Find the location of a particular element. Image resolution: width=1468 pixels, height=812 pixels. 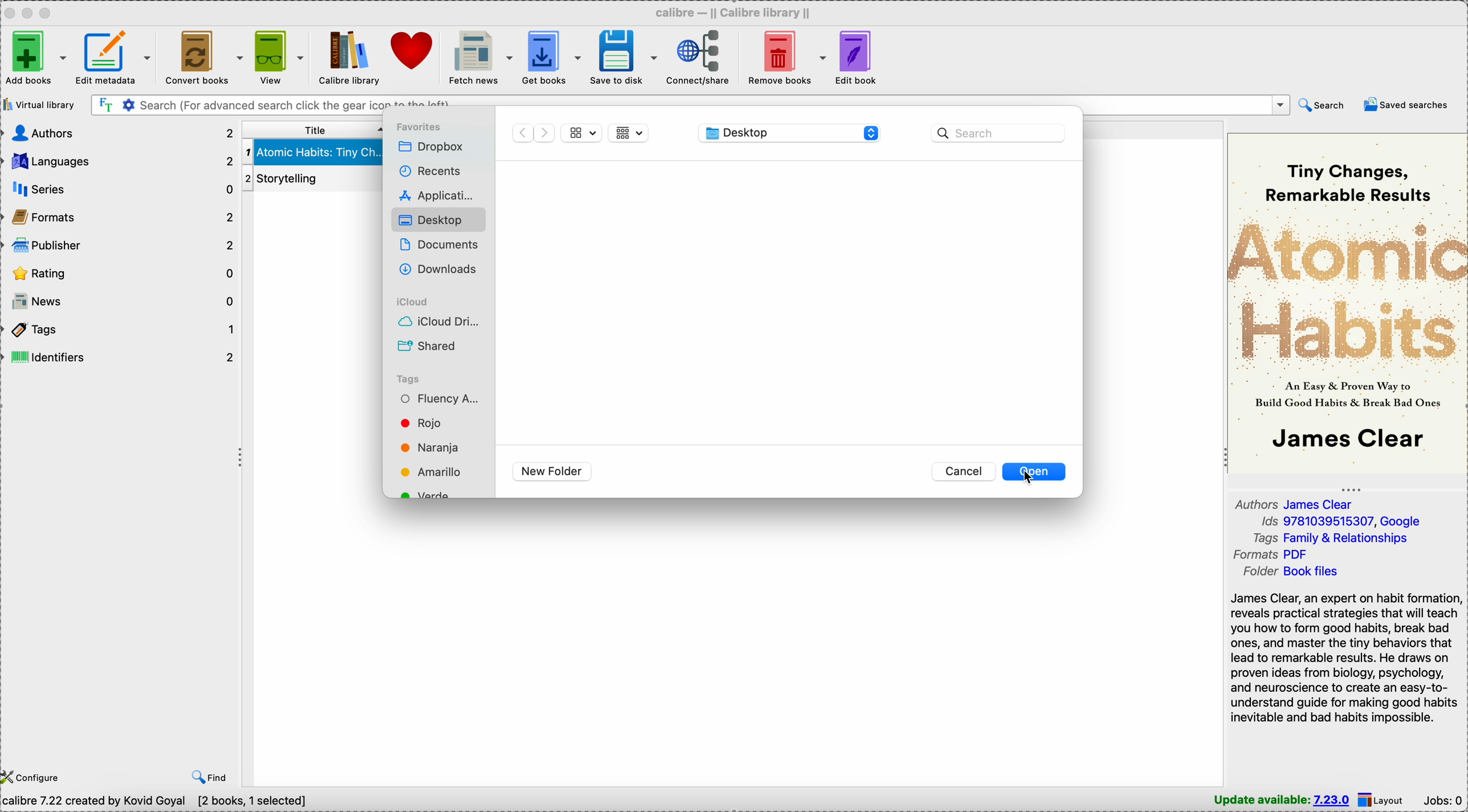

Desktop is located at coordinates (438, 220).